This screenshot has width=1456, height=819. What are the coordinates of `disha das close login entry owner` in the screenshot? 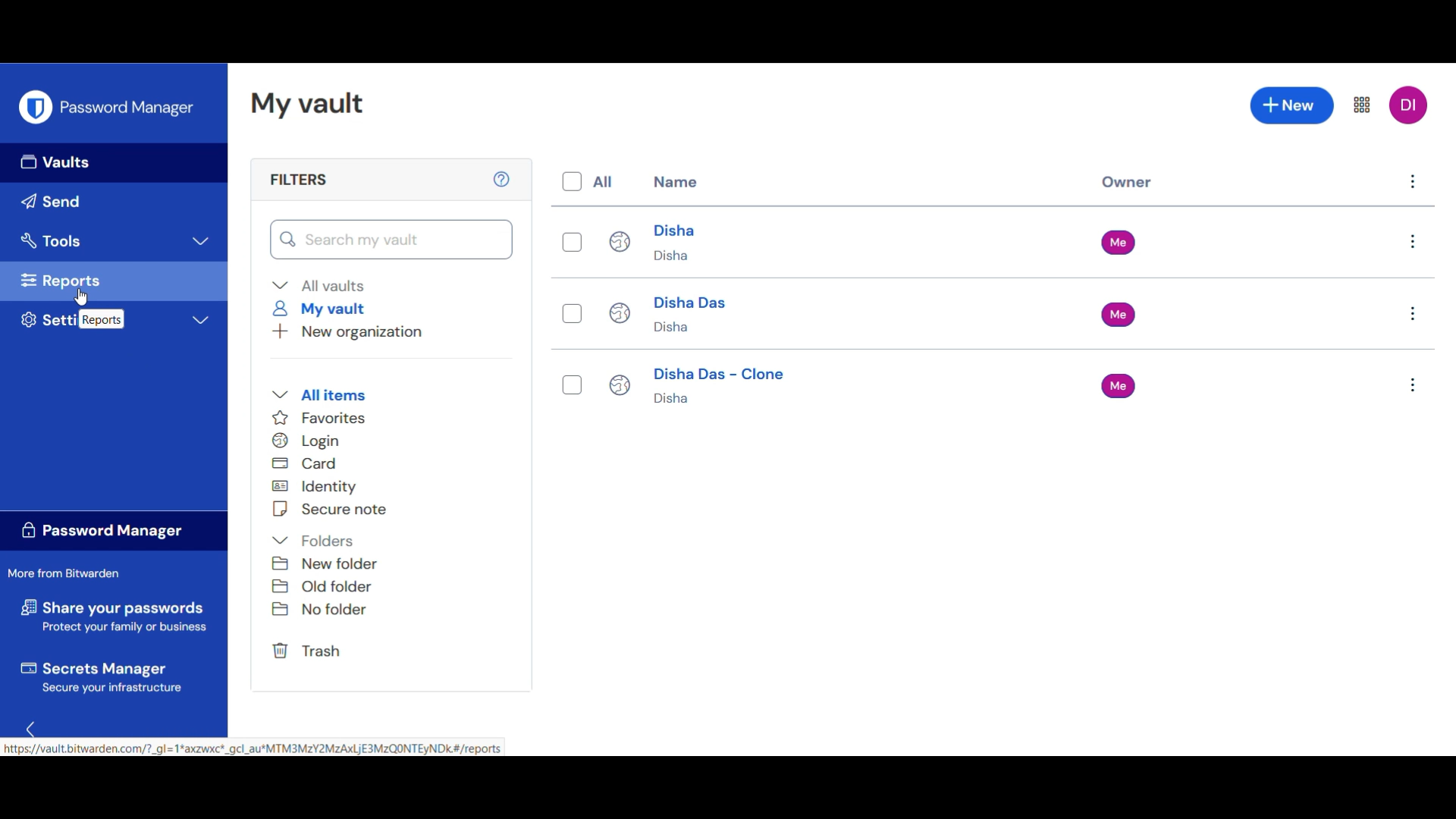 It's located at (1119, 387).